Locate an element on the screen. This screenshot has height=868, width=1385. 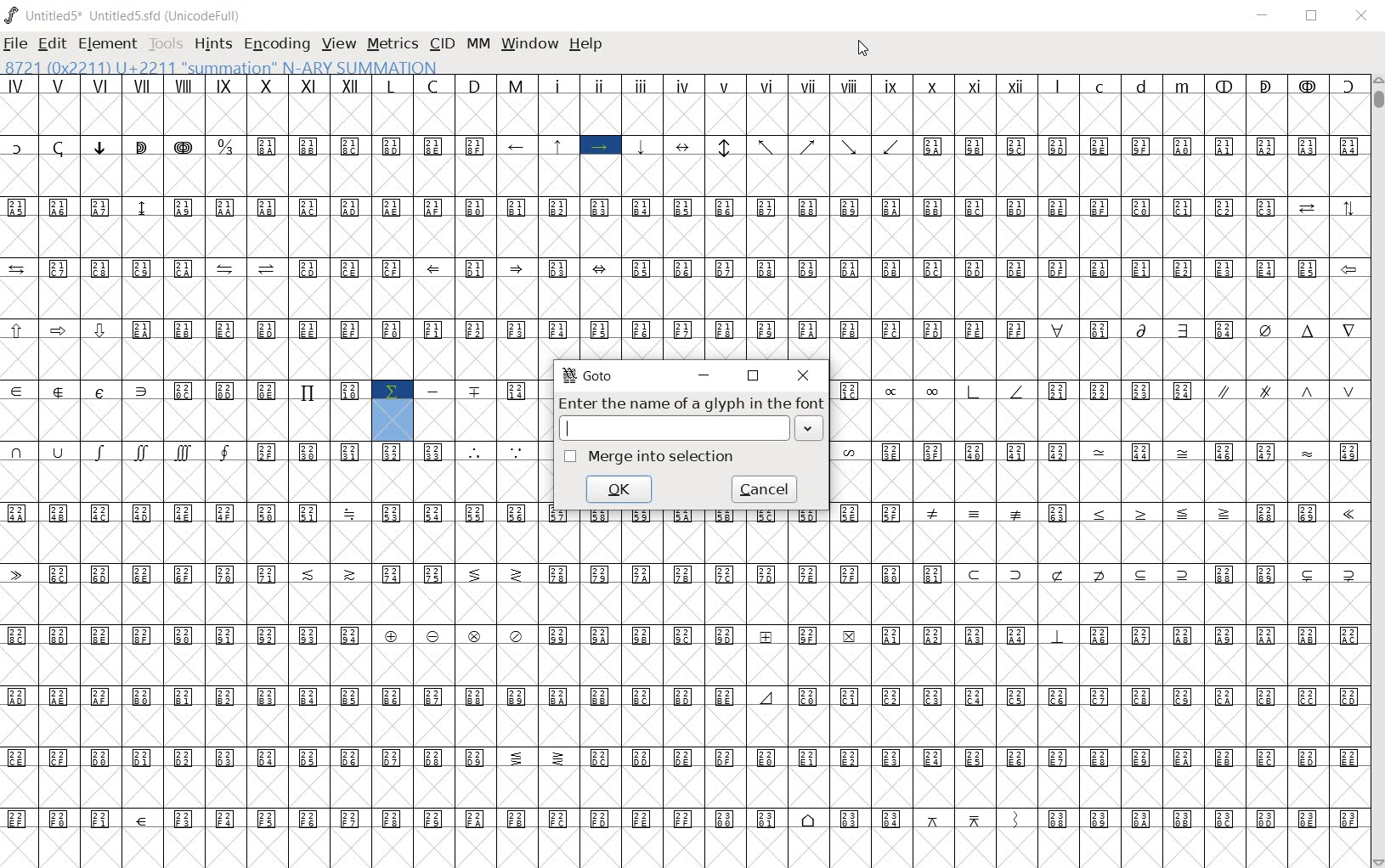
empty cells is located at coordinates (1097, 359).